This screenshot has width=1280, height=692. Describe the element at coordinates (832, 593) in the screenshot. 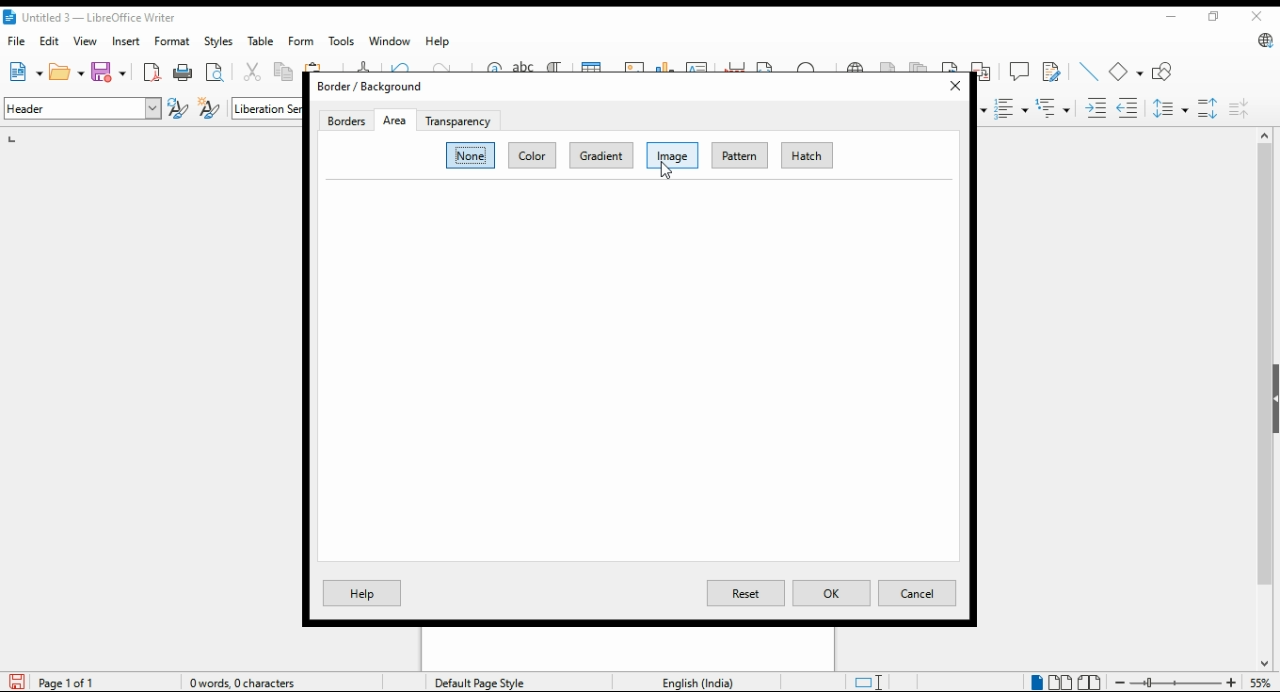

I see `OK` at that location.